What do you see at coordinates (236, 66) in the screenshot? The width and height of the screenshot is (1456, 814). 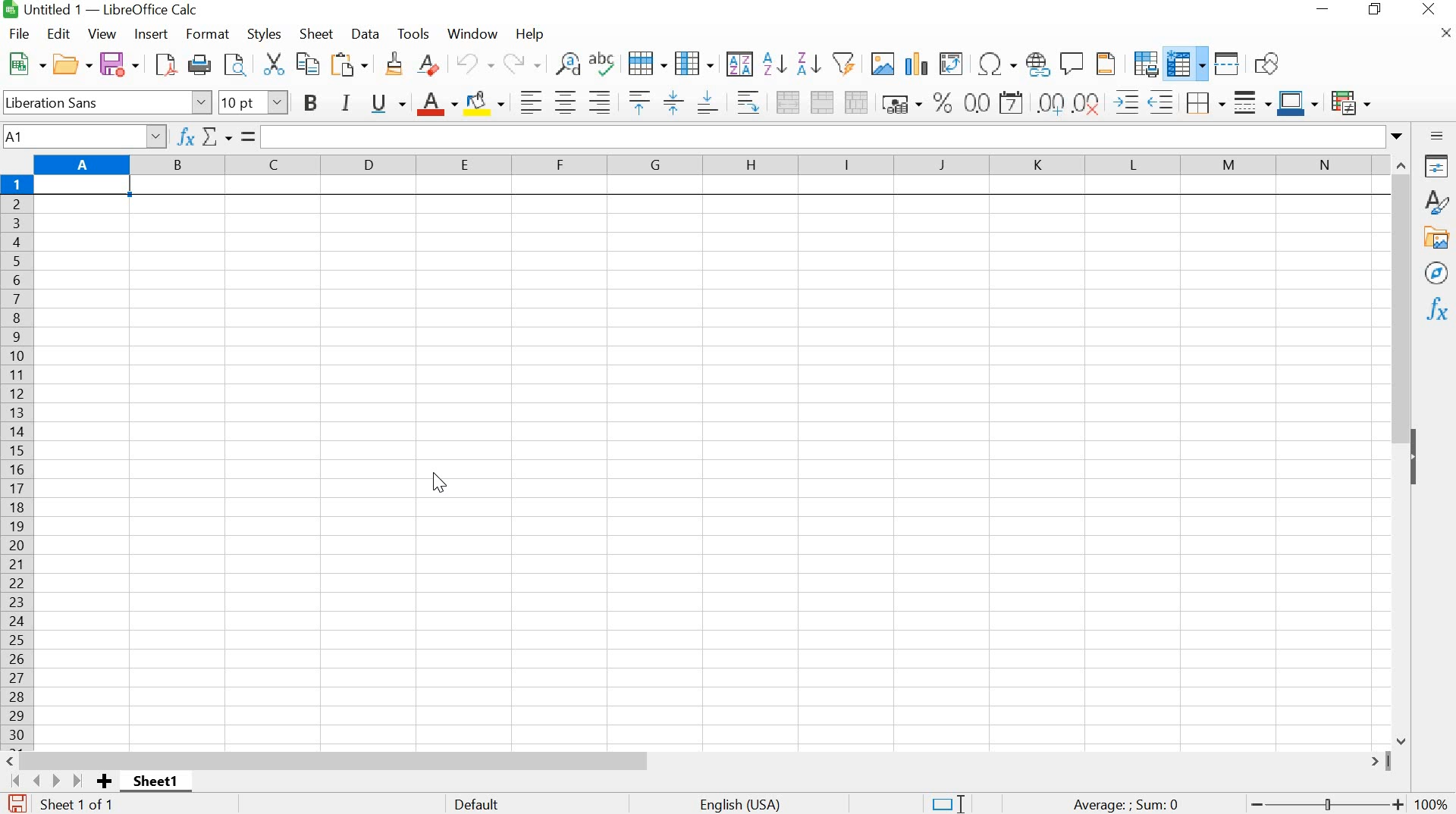 I see `FIND` at bounding box center [236, 66].